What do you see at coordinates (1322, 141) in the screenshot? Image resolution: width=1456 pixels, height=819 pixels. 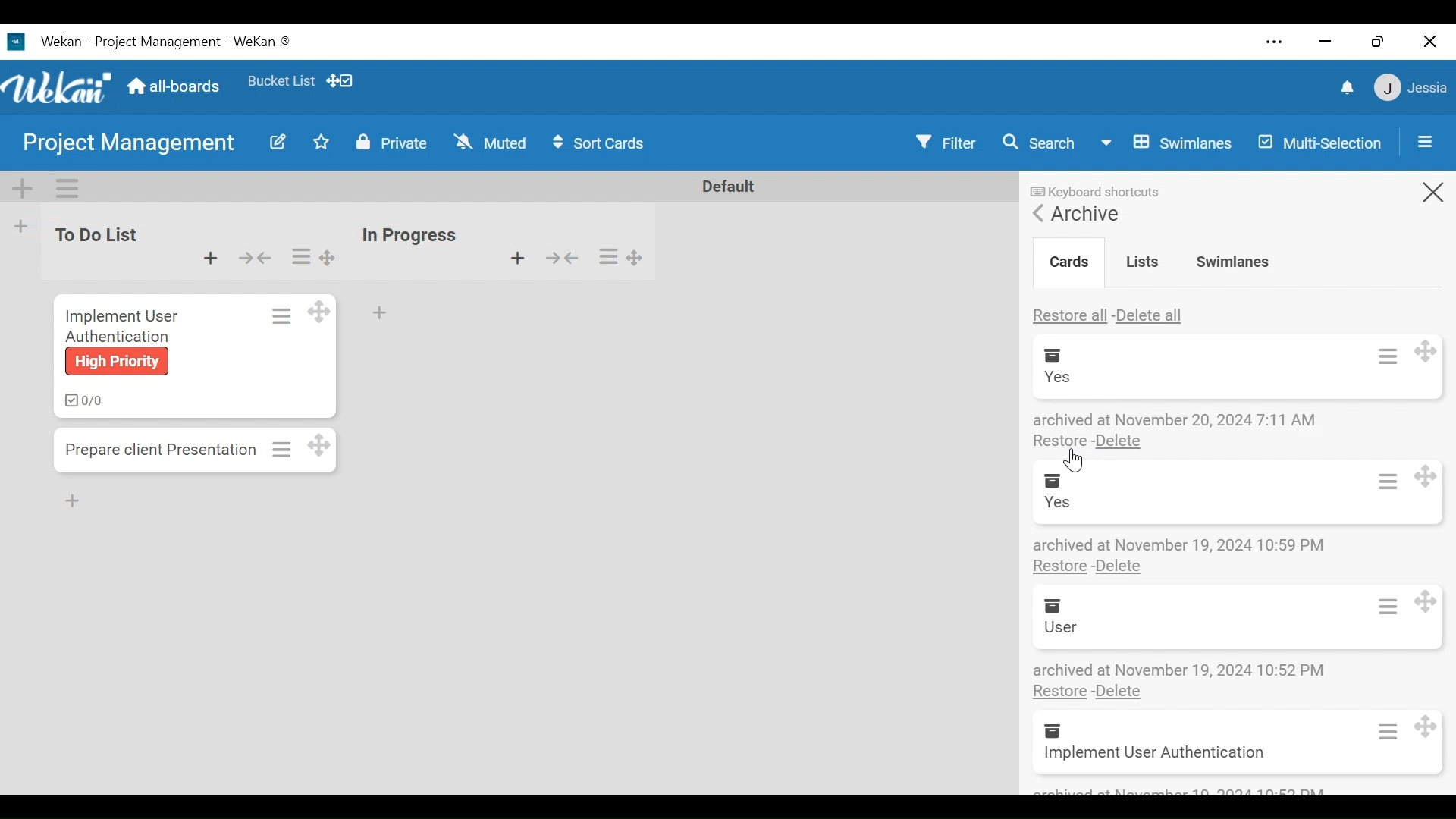 I see `Multi-selection` at bounding box center [1322, 141].